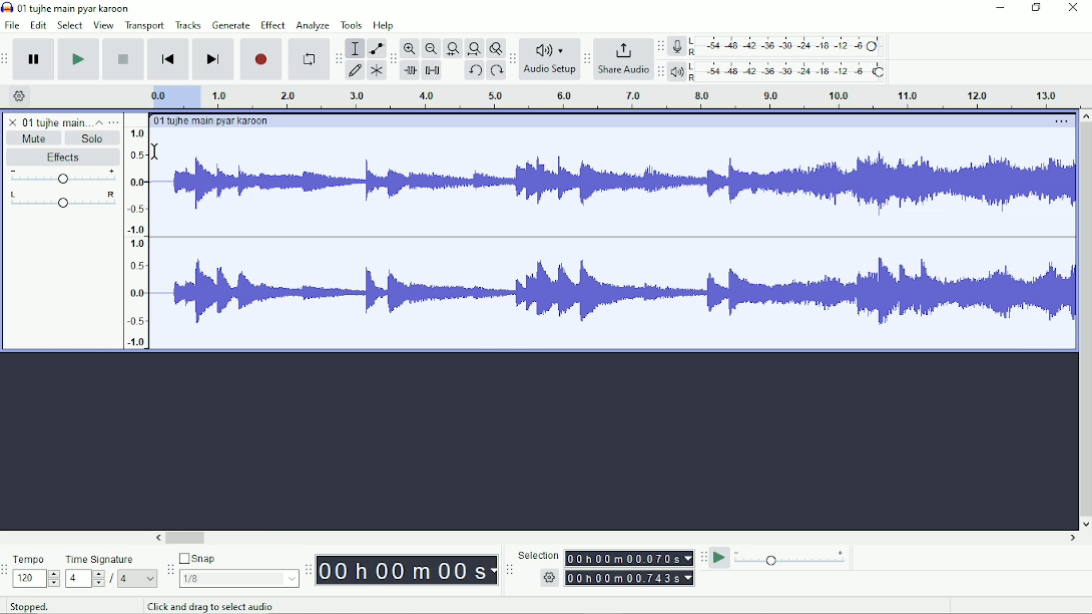 This screenshot has height=614, width=1092. Describe the element at coordinates (409, 71) in the screenshot. I see `Trim audio outside selection` at that location.